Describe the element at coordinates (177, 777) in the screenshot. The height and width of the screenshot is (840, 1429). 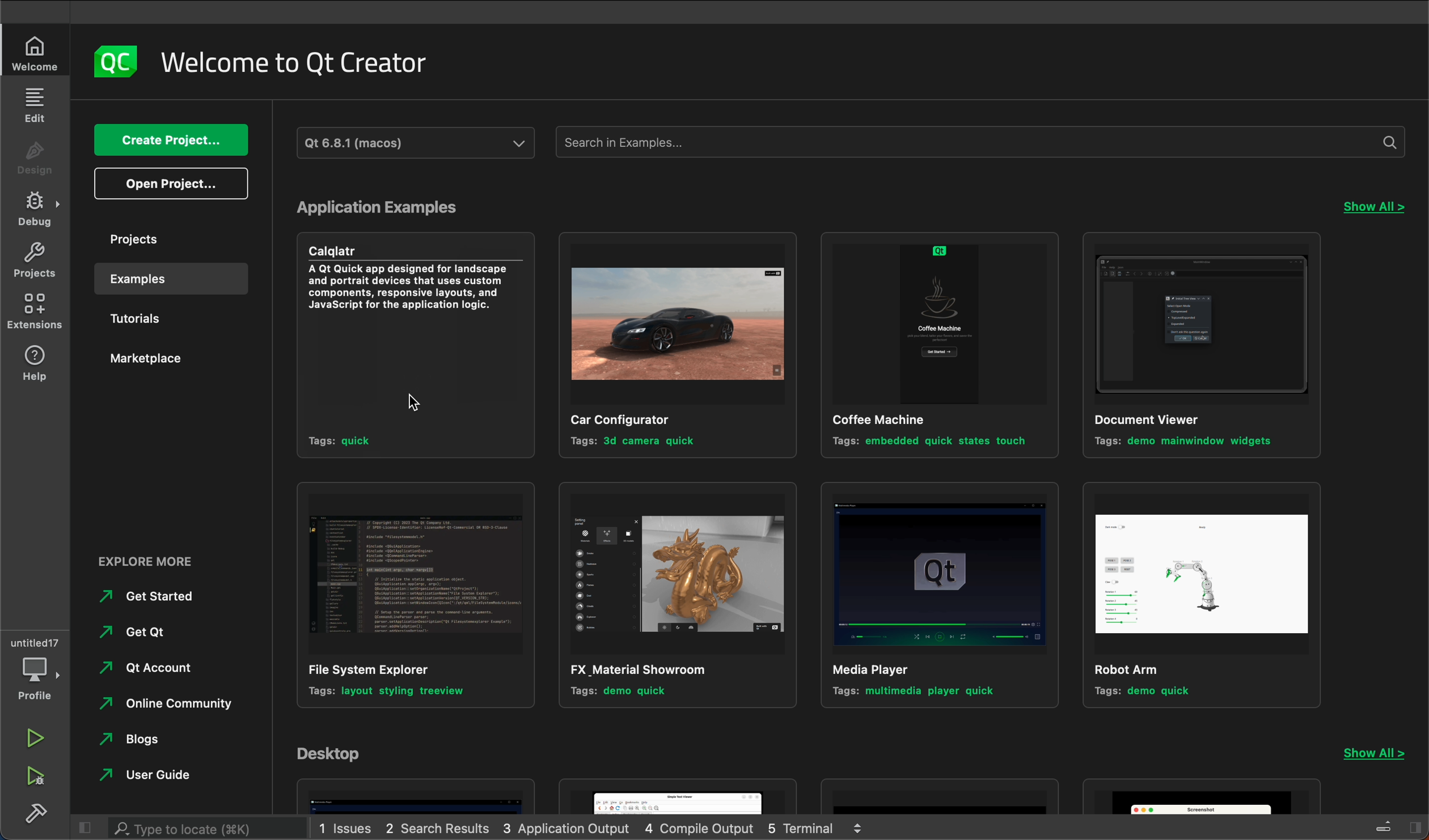
I see `user guide` at that location.